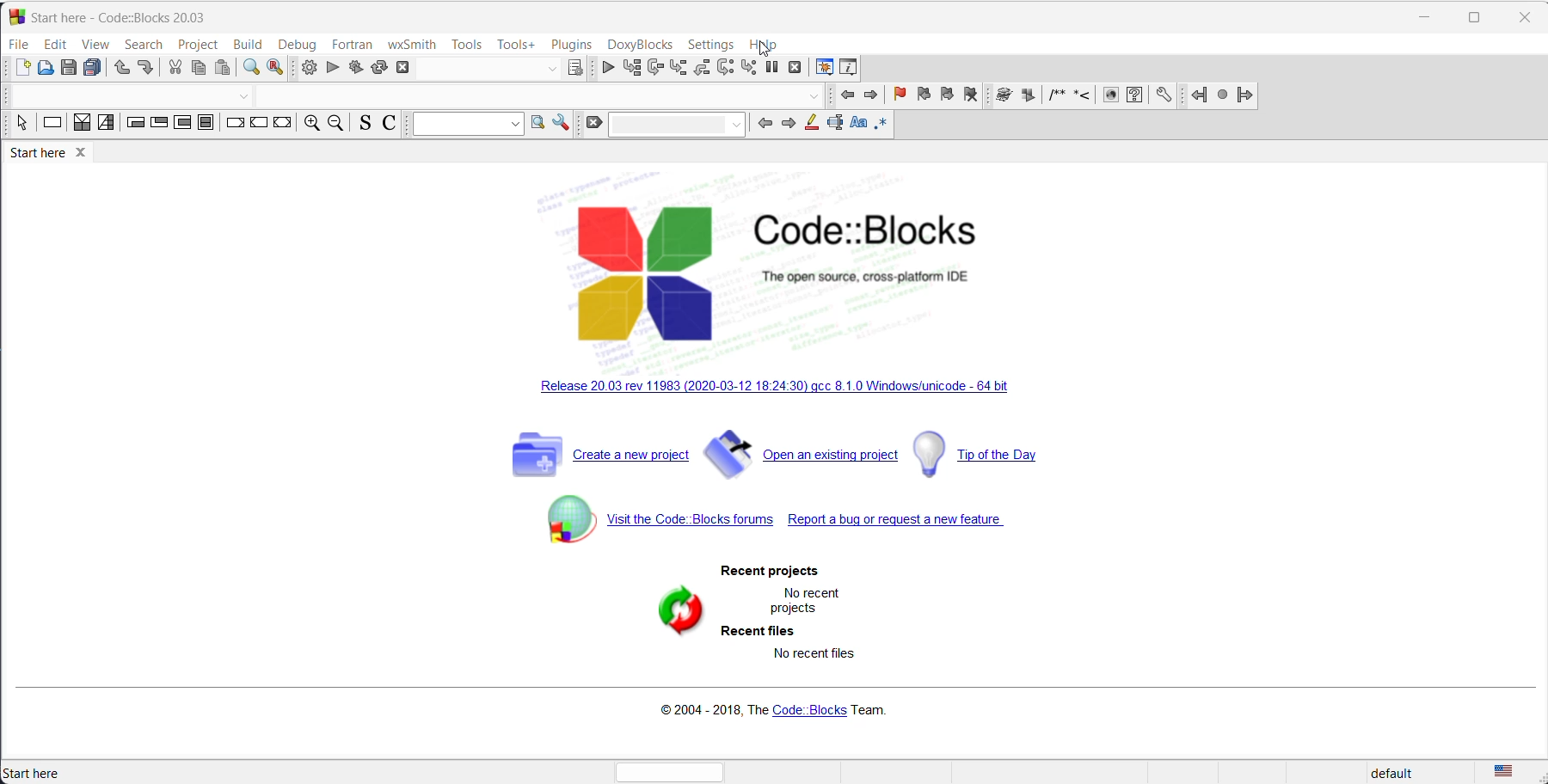  Describe the element at coordinates (20, 44) in the screenshot. I see `file` at that location.